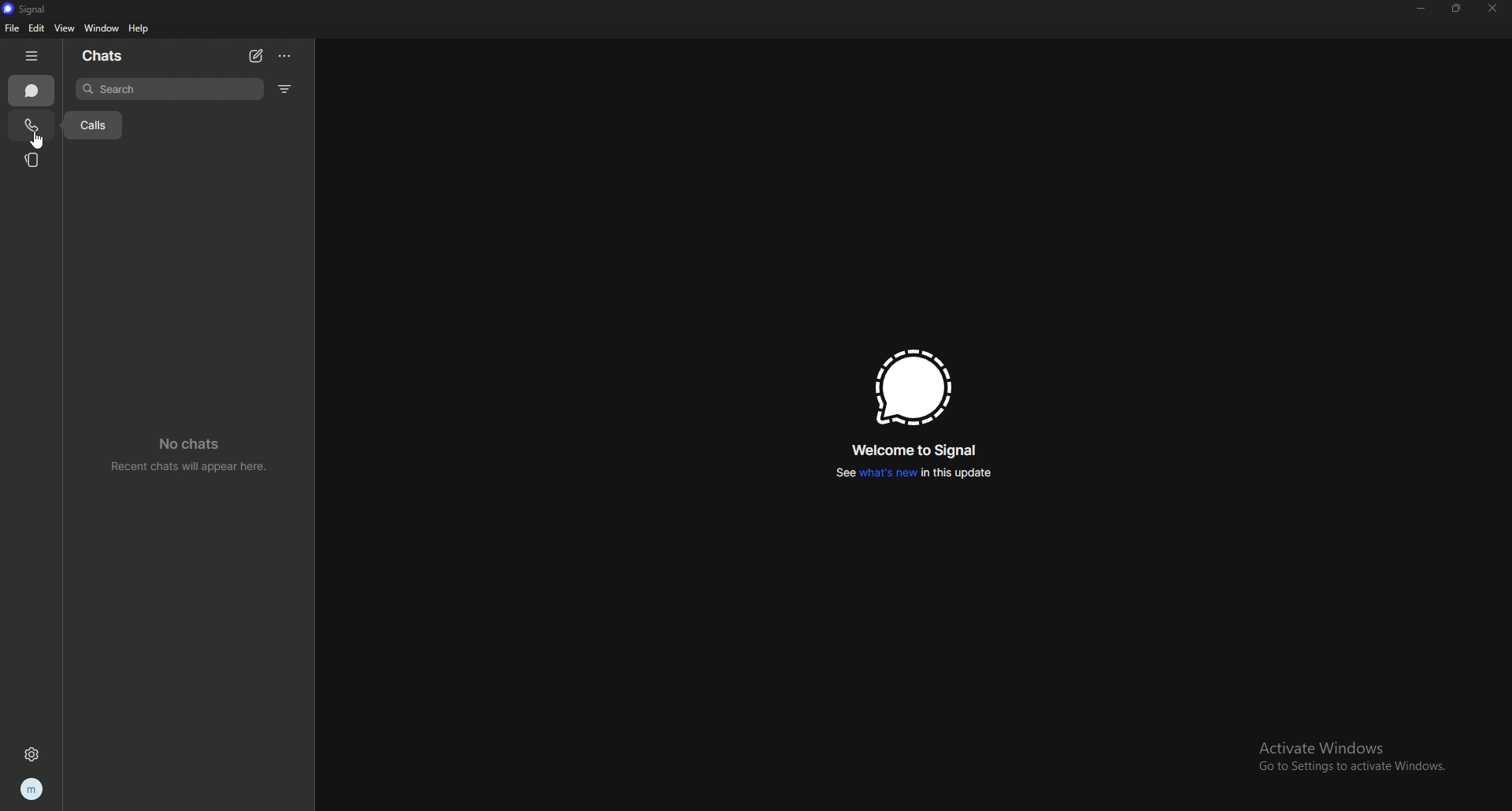 The height and width of the screenshot is (811, 1512). Describe the element at coordinates (113, 57) in the screenshot. I see `chats` at that location.